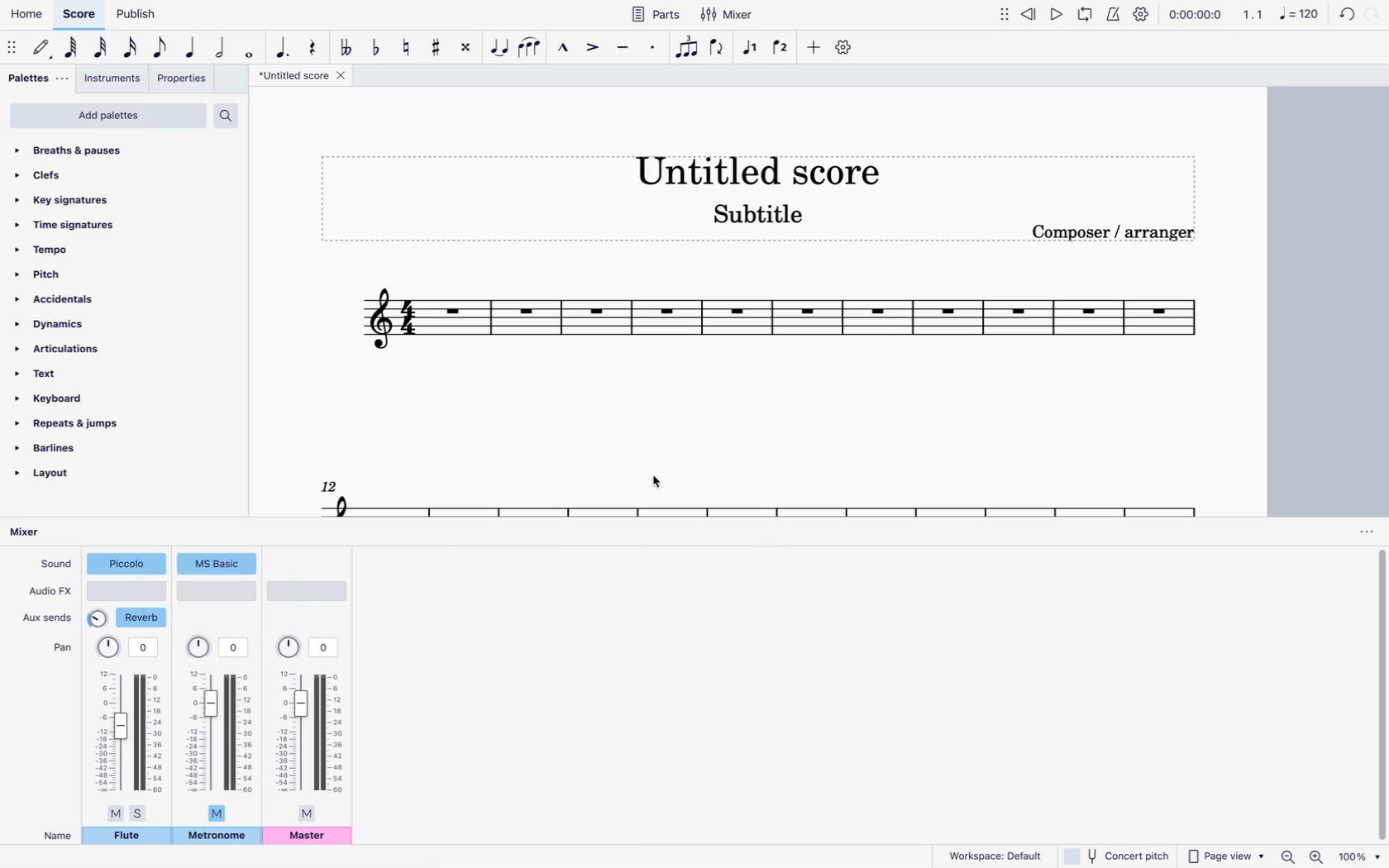  I want to click on keyboard, so click(58, 398).